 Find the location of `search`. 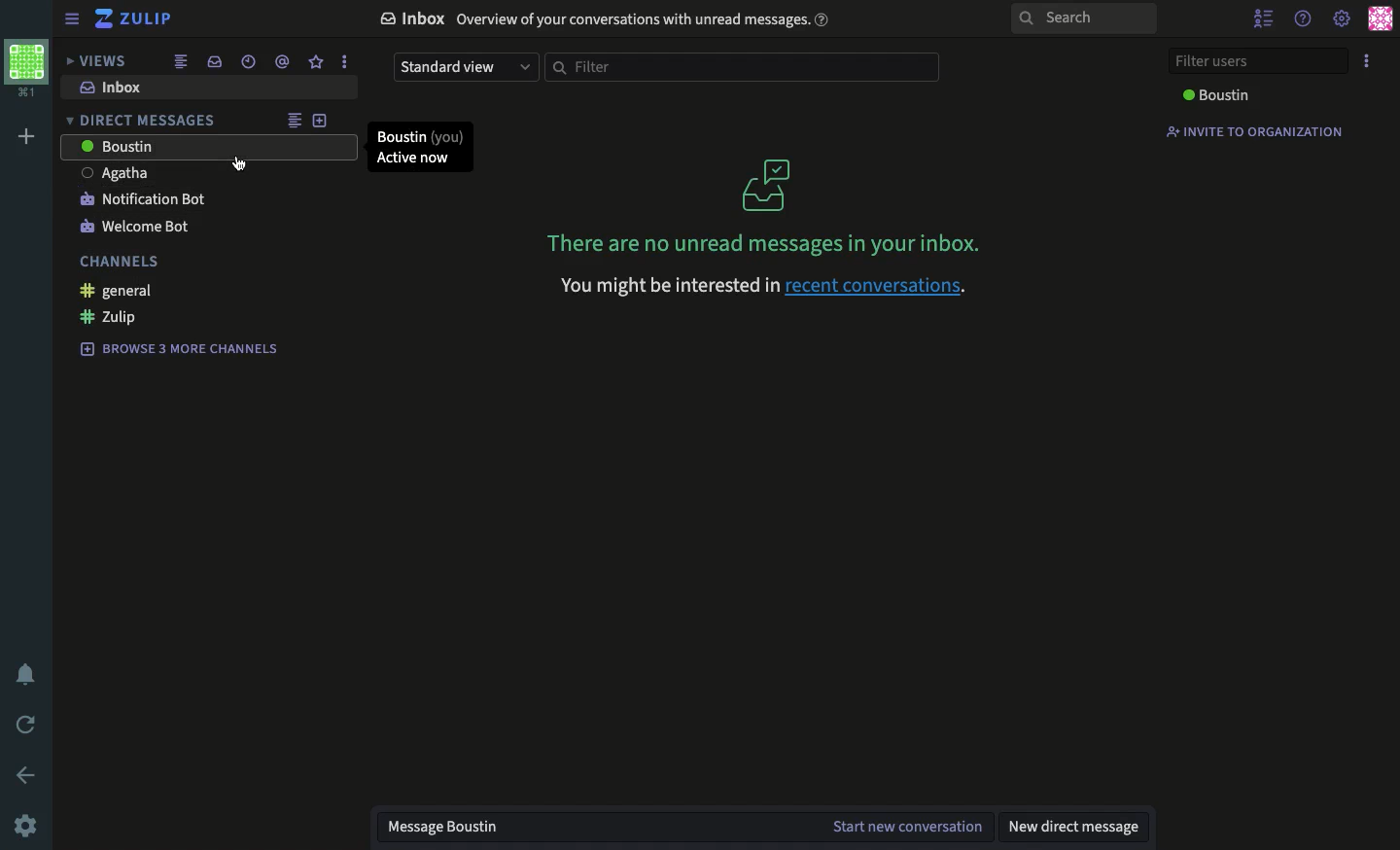

search is located at coordinates (1080, 19).